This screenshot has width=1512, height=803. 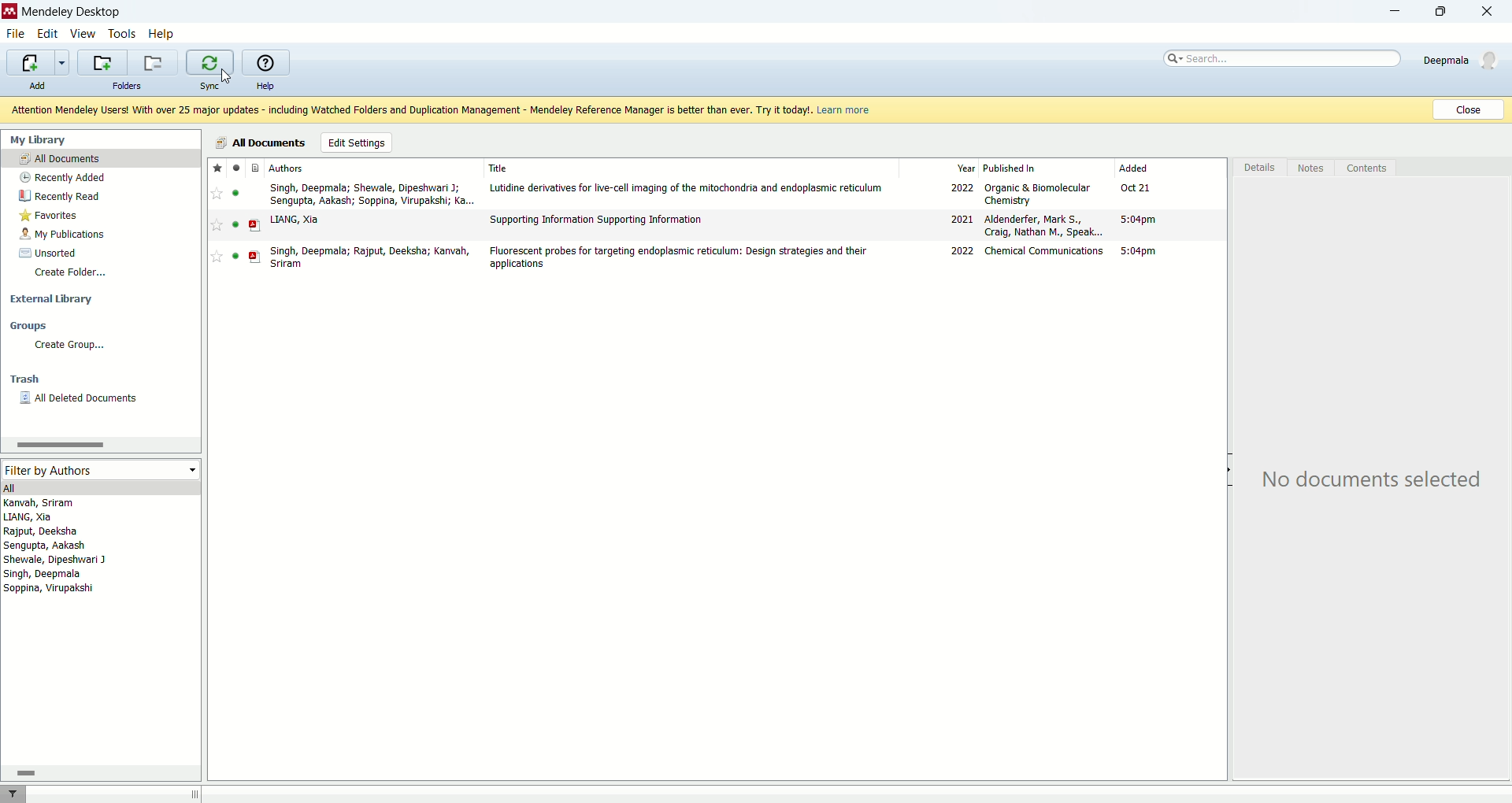 What do you see at coordinates (373, 257) in the screenshot?
I see `Singh, Deepmala; Rajput, Deeksha; Kanvah, Sriram` at bounding box center [373, 257].